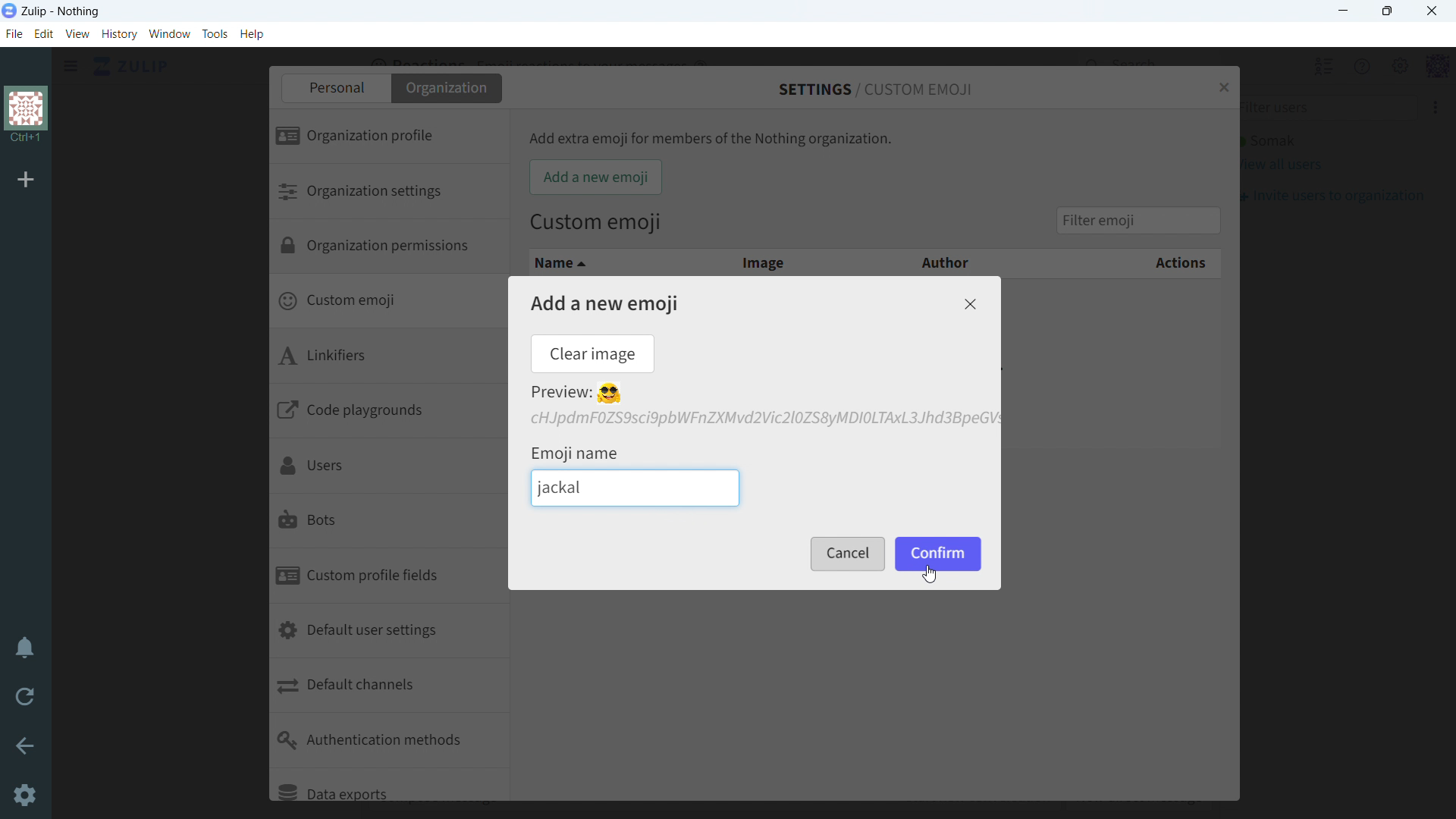 The width and height of the screenshot is (1456, 819). I want to click on emoji name typed, so click(563, 488).